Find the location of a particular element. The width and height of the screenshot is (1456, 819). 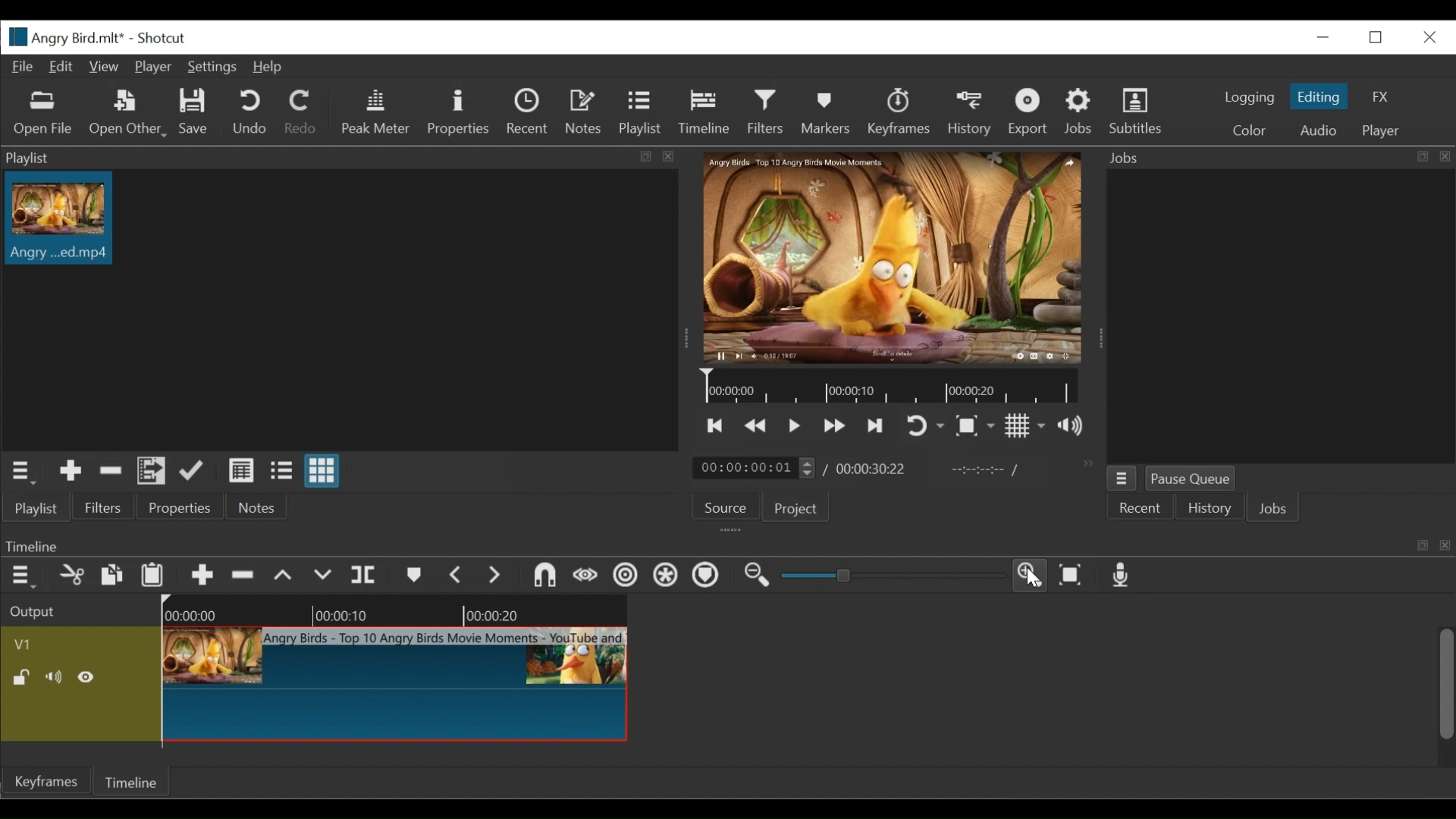

Jobs is located at coordinates (1080, 113).